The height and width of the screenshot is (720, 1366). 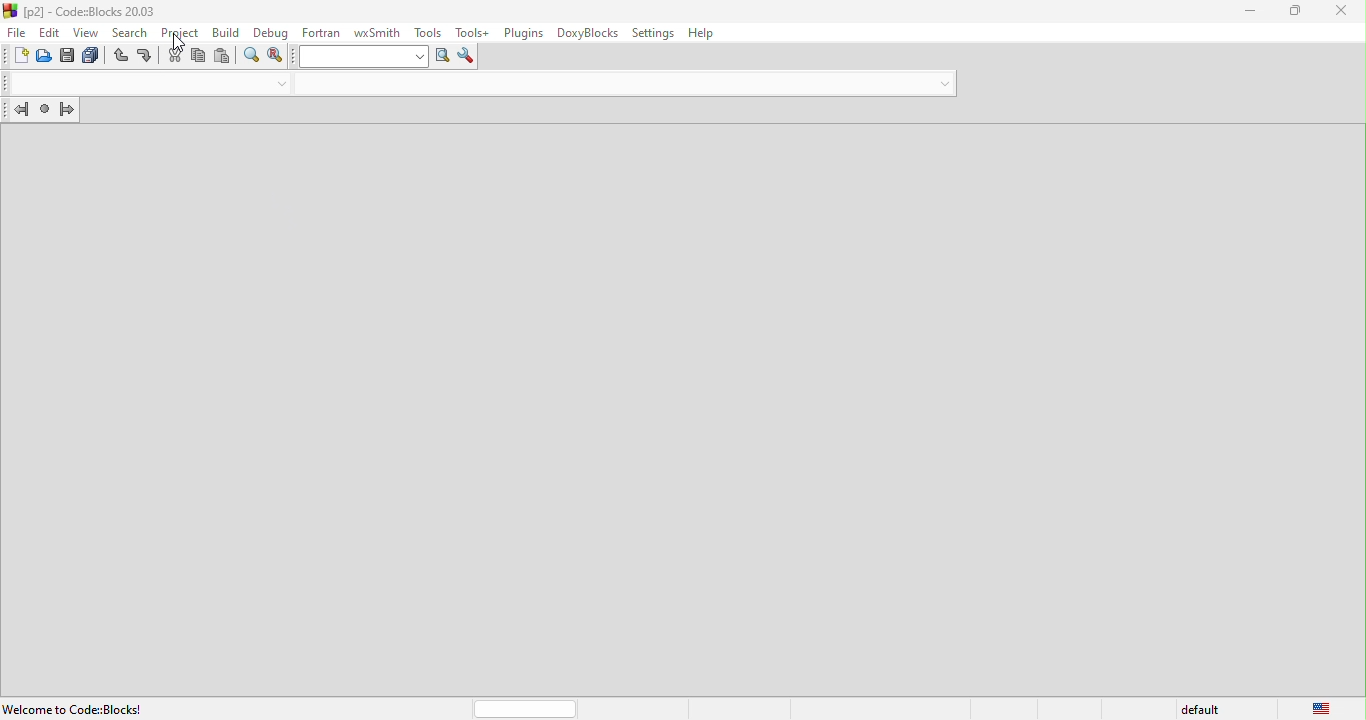 What do you see at coordinates (466, 57) in the screenshot?
I see `show options window` at bounding box center [466, 57].